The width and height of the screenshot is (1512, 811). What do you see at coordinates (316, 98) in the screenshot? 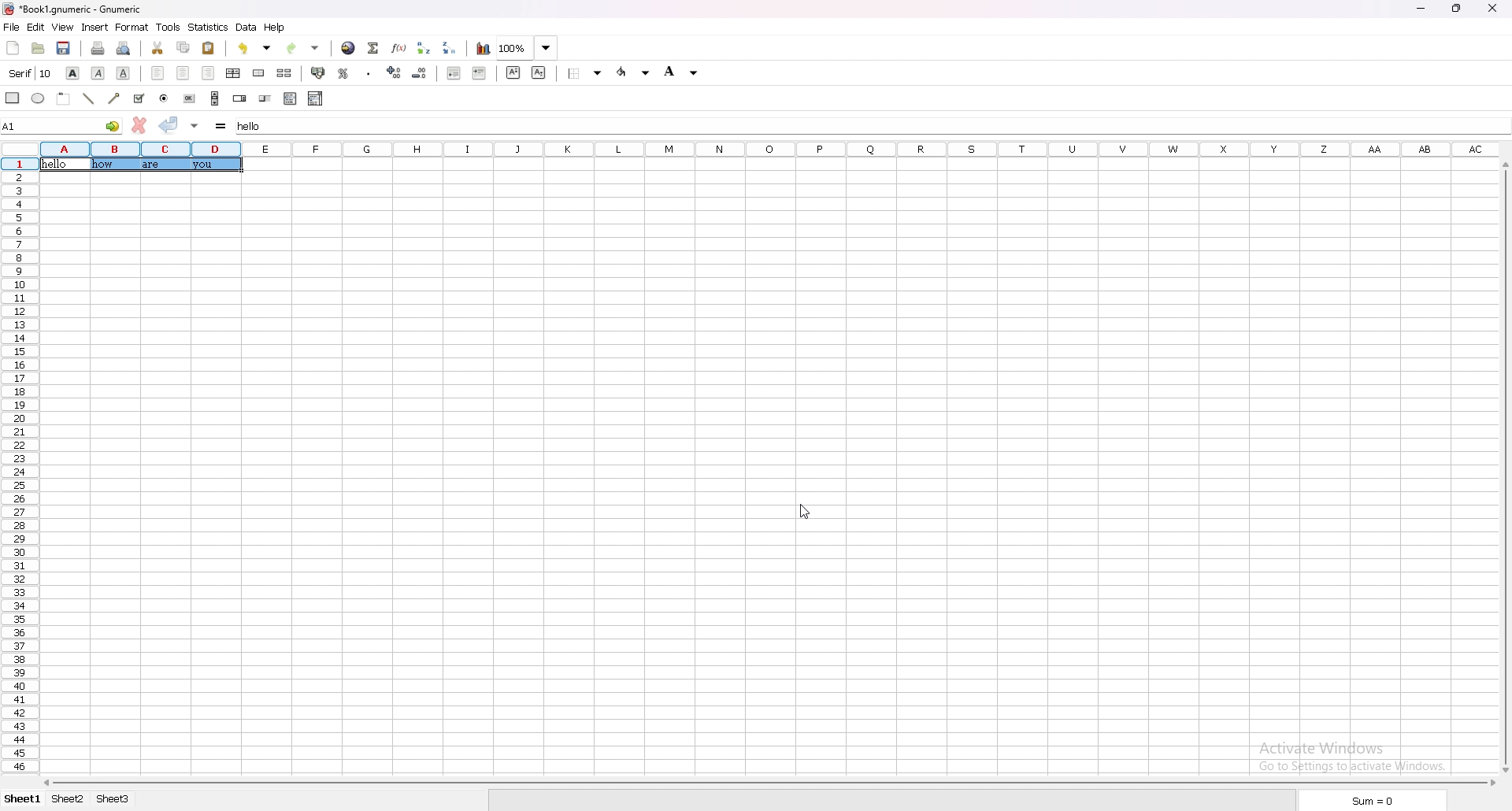
I see `combo box` at bounding box center [316, 98].